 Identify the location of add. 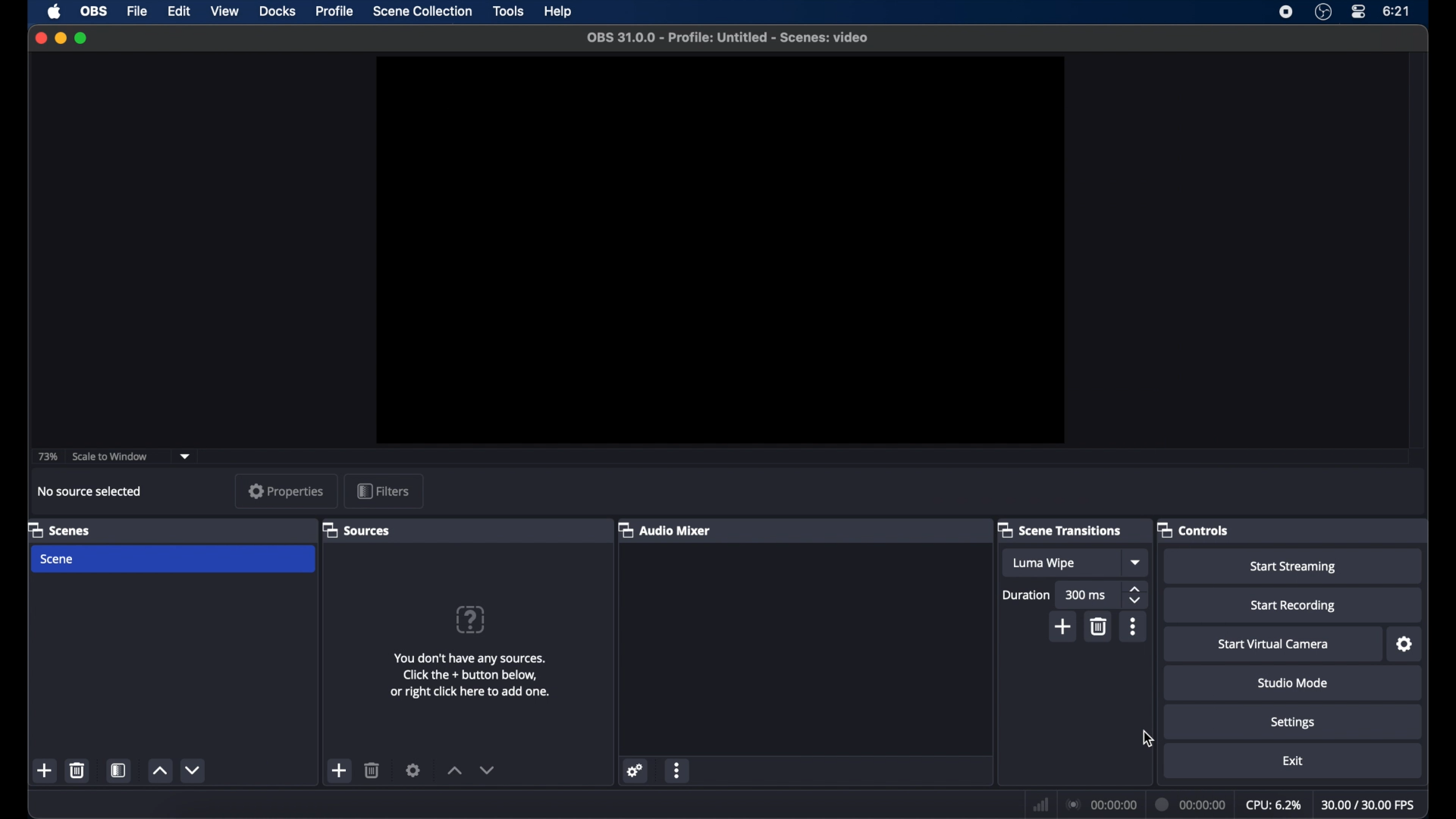
(45, 771).